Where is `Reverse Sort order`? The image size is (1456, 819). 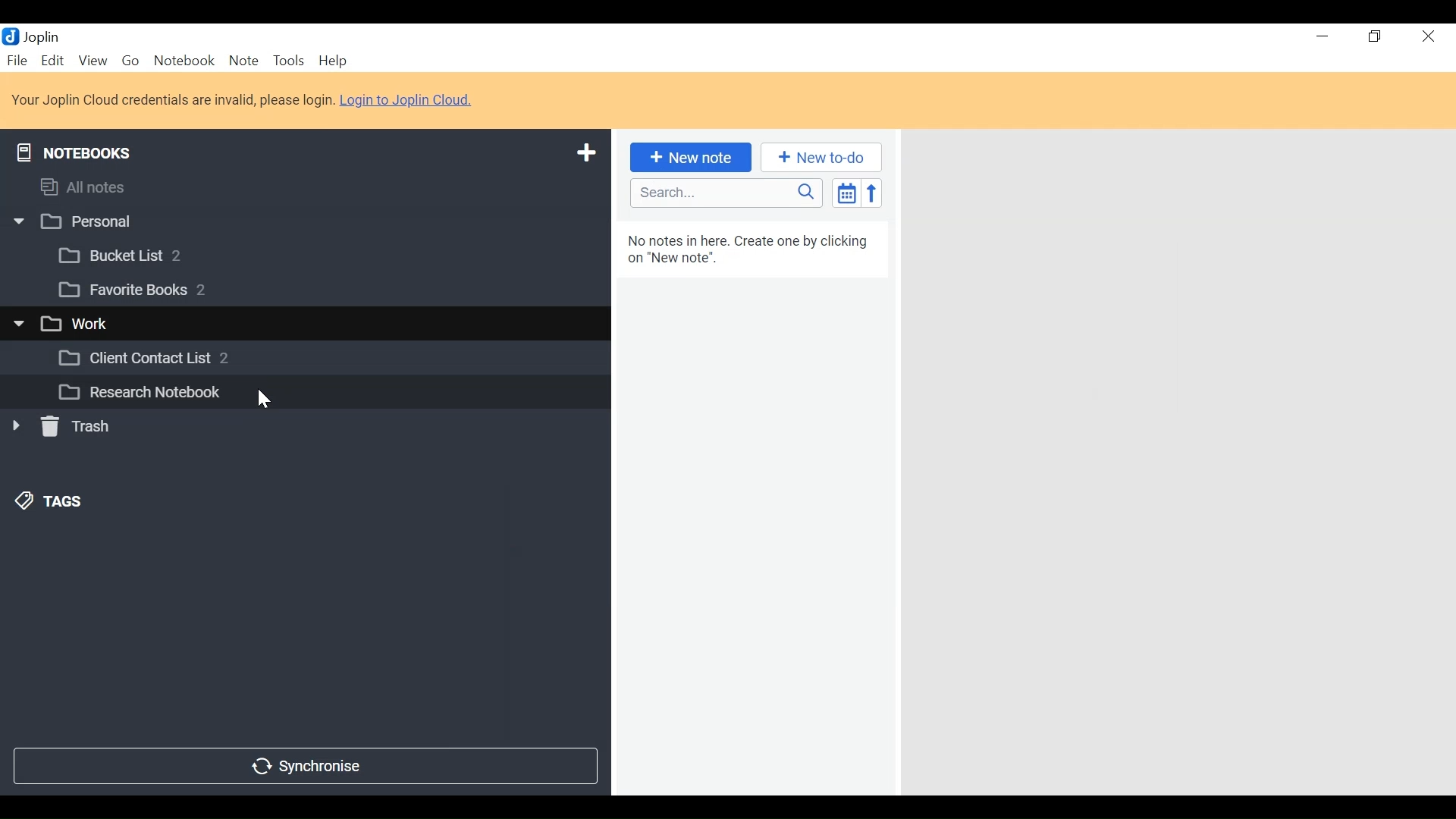
Reverse Sort order is located at coordinates (875, 193).